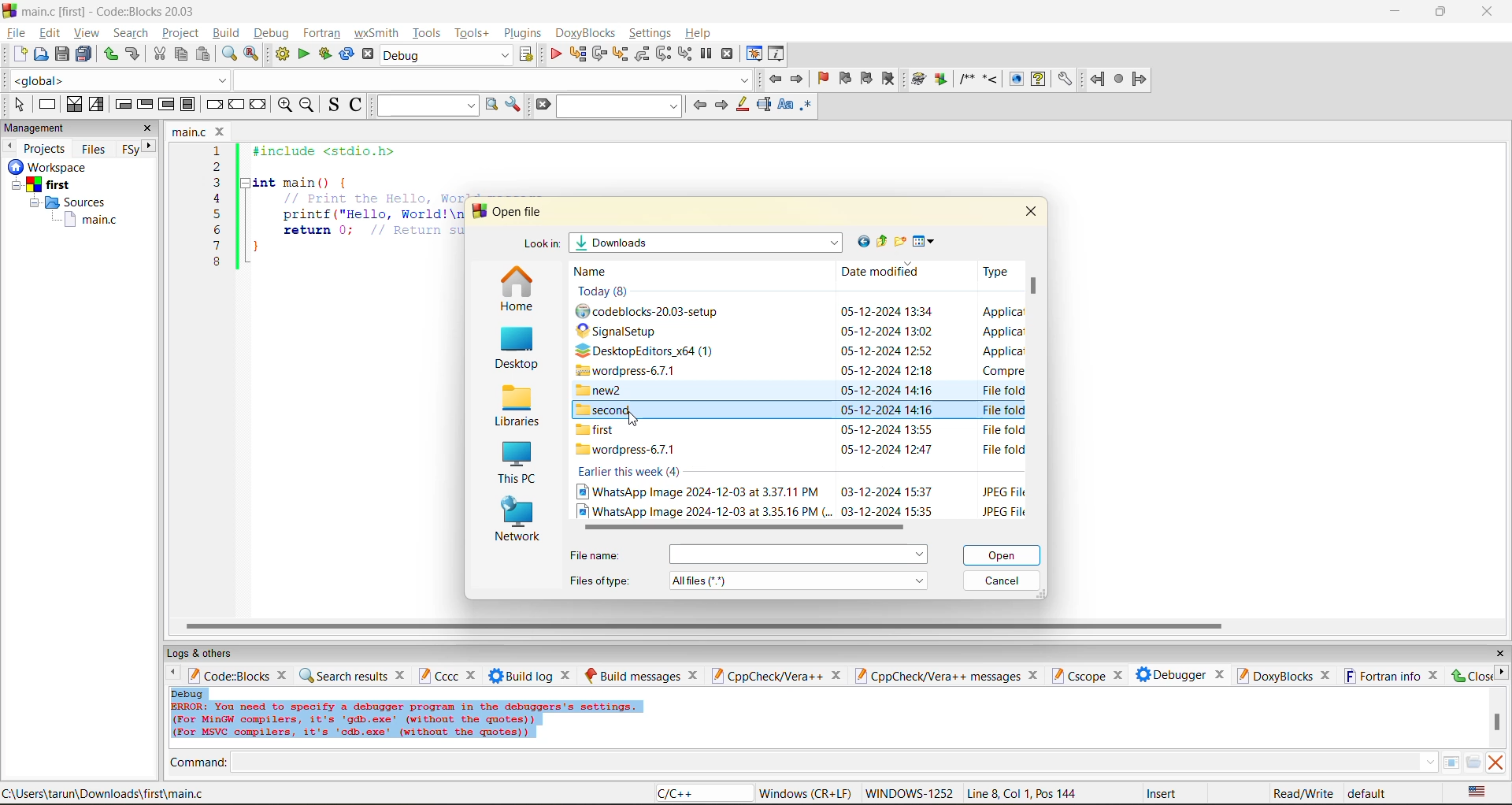 This screenshot has height=805, width=1512. Describe the element at coordinates (1036, 290) in the screenshot. I see `vertical scroll bar` at that location.